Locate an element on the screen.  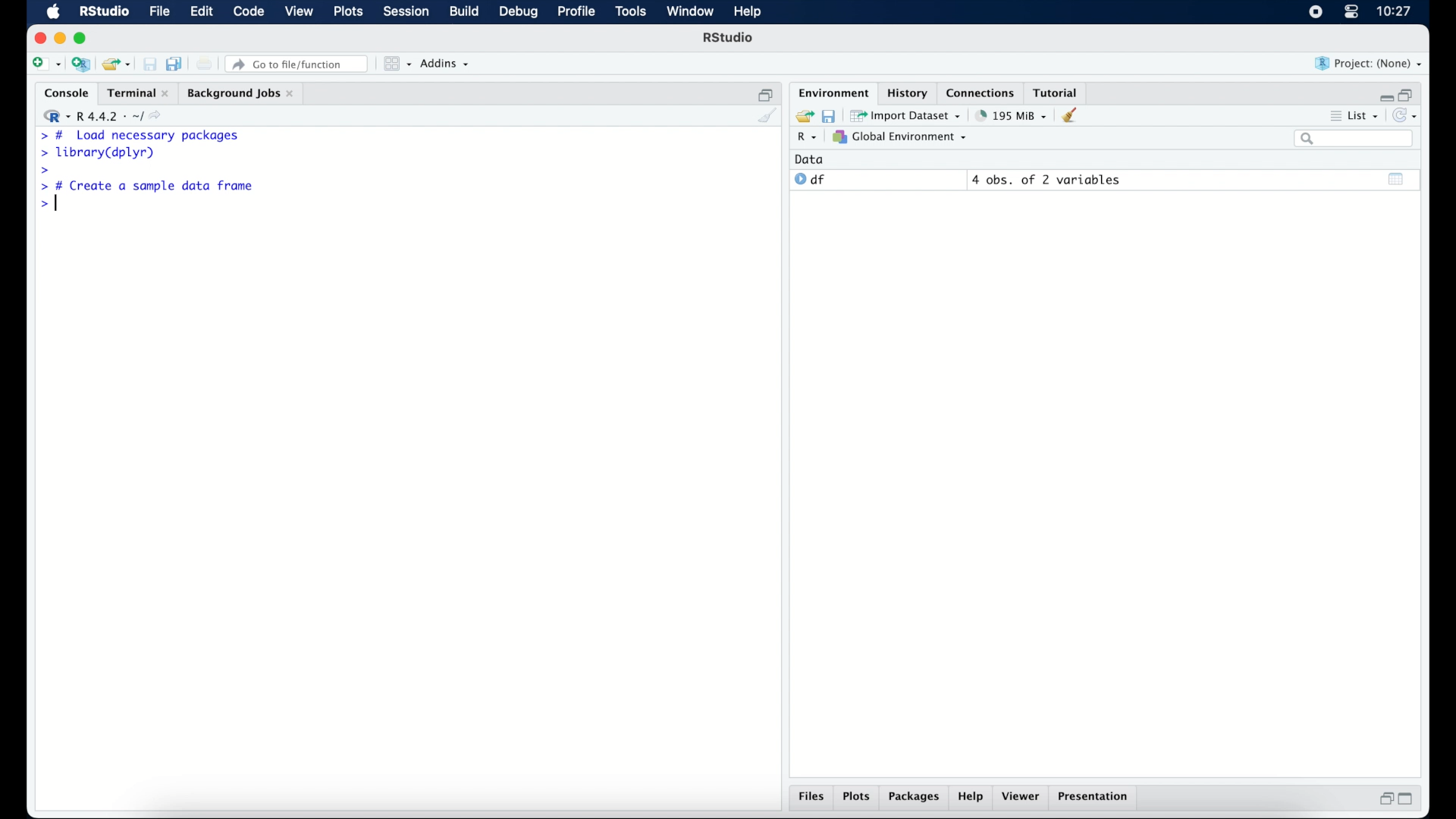
go to file/function is located at coordinates (297, 64).